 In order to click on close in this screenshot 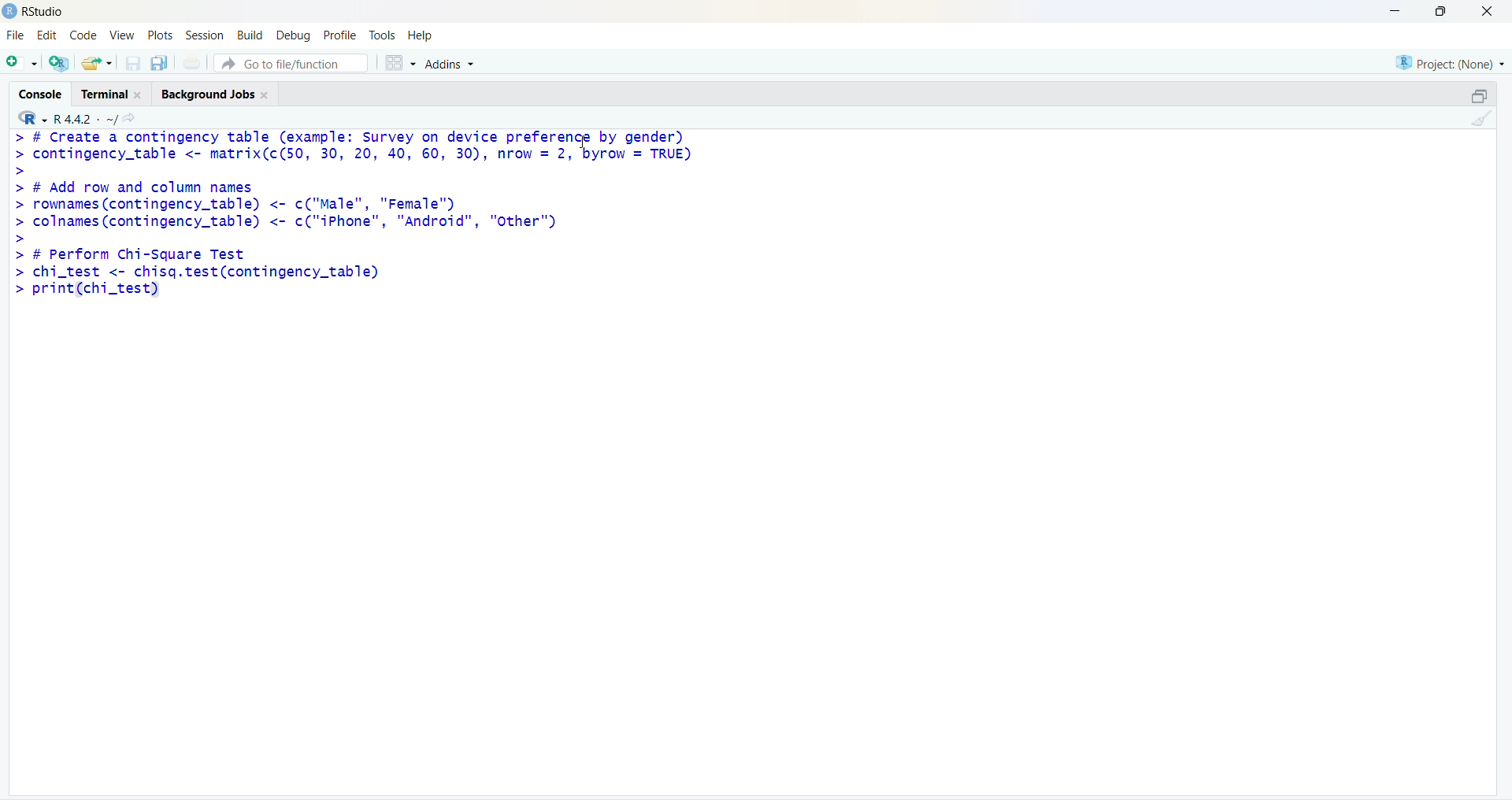, I will do `click(265, 94)`.